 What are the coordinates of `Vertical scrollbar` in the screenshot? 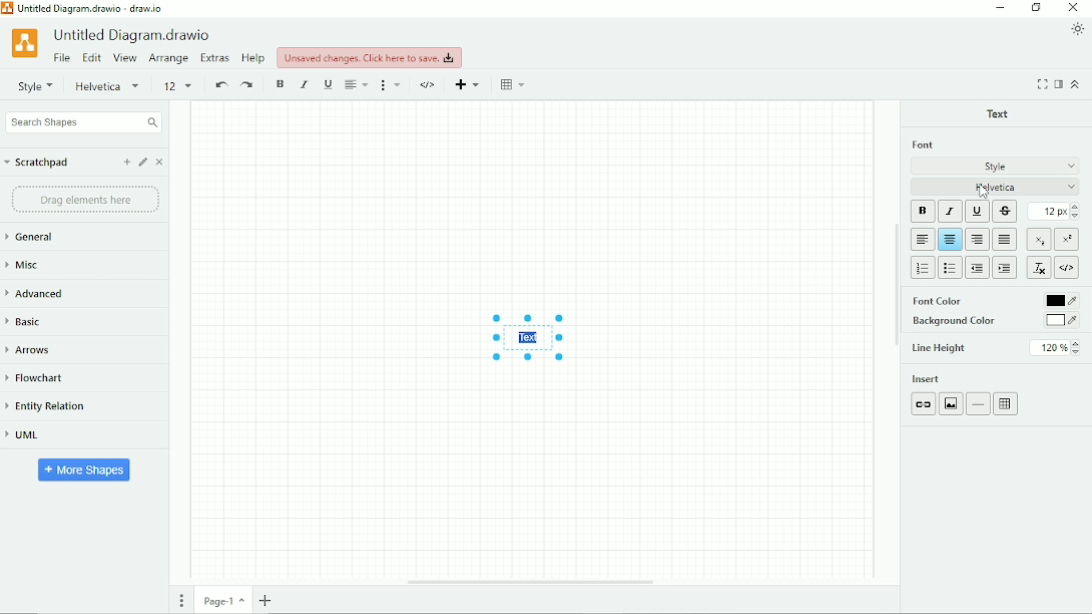 It's located at (896, 284).